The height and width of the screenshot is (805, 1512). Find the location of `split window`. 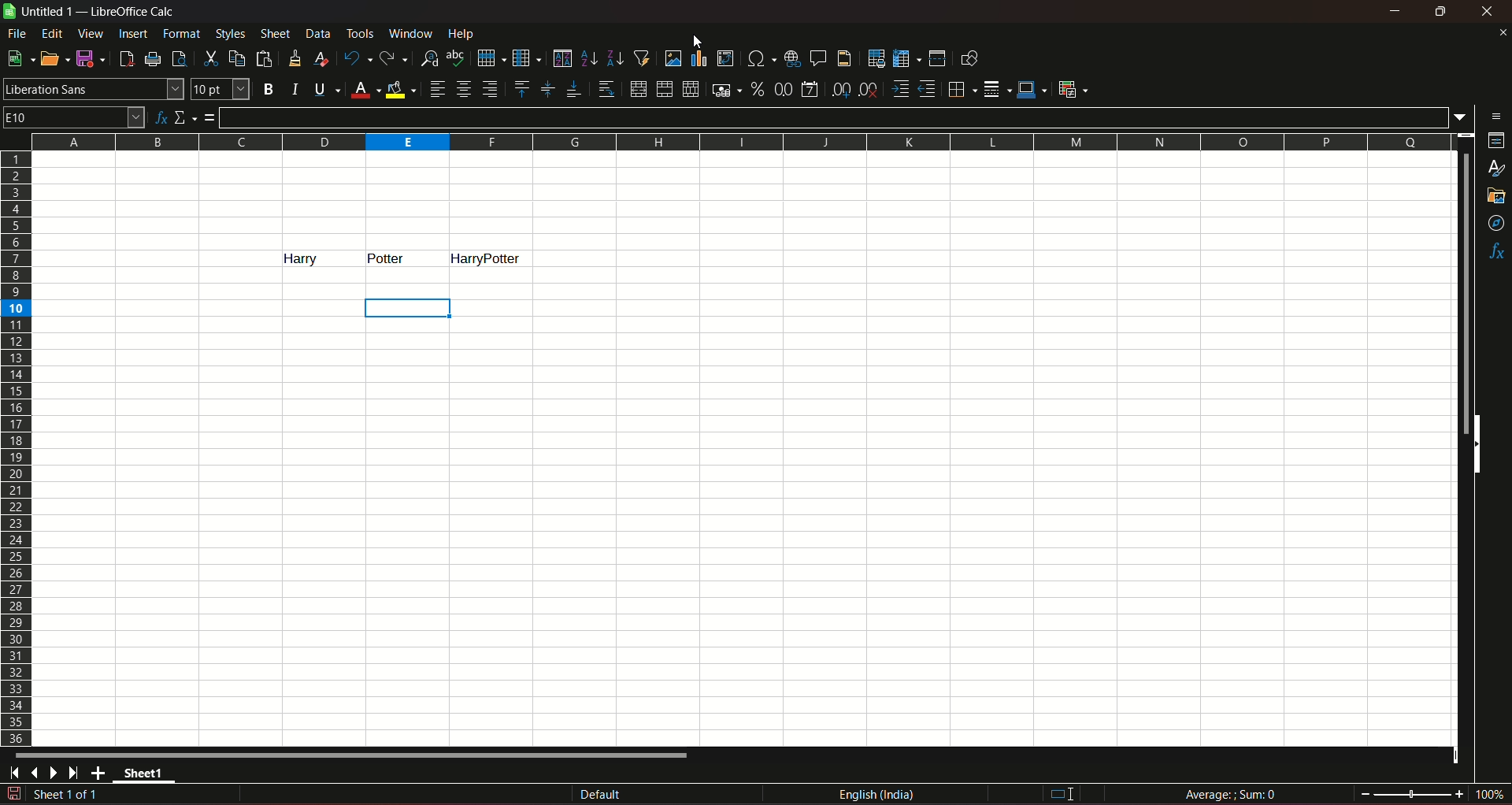

split window is located at coordinates (937, 58).